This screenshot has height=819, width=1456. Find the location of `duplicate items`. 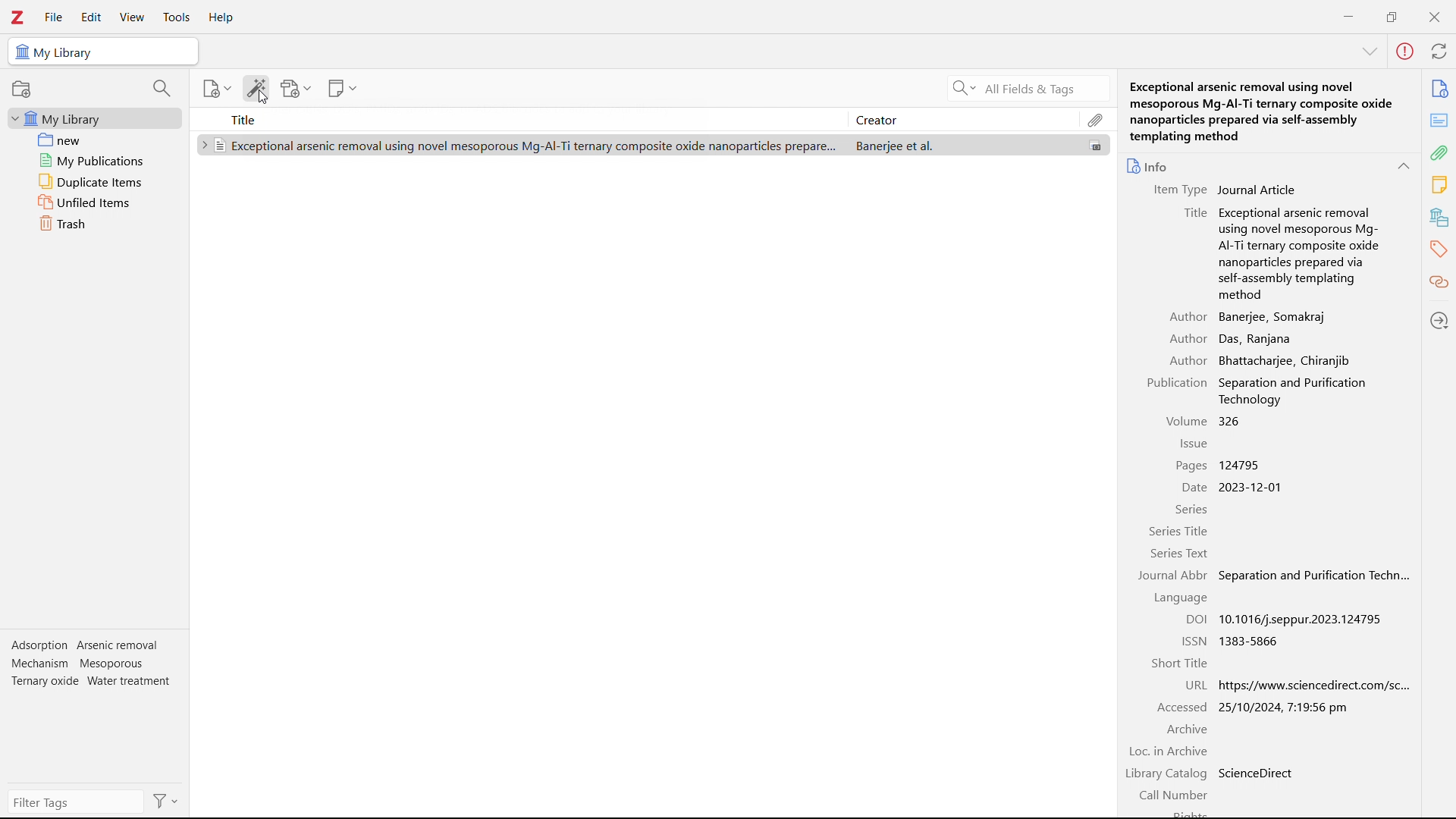

duplicate items is located at coordinates (96, 181).